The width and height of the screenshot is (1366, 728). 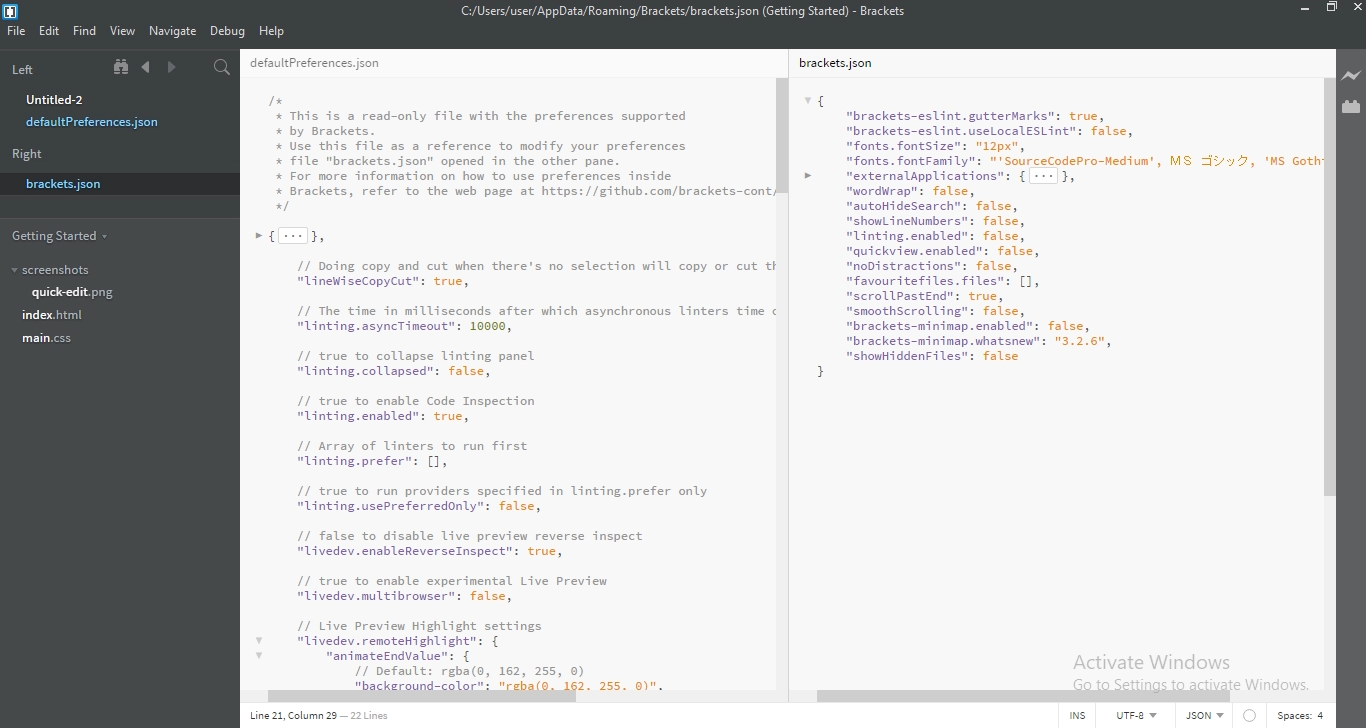 I want to click on view, so click(x=122, y=31).